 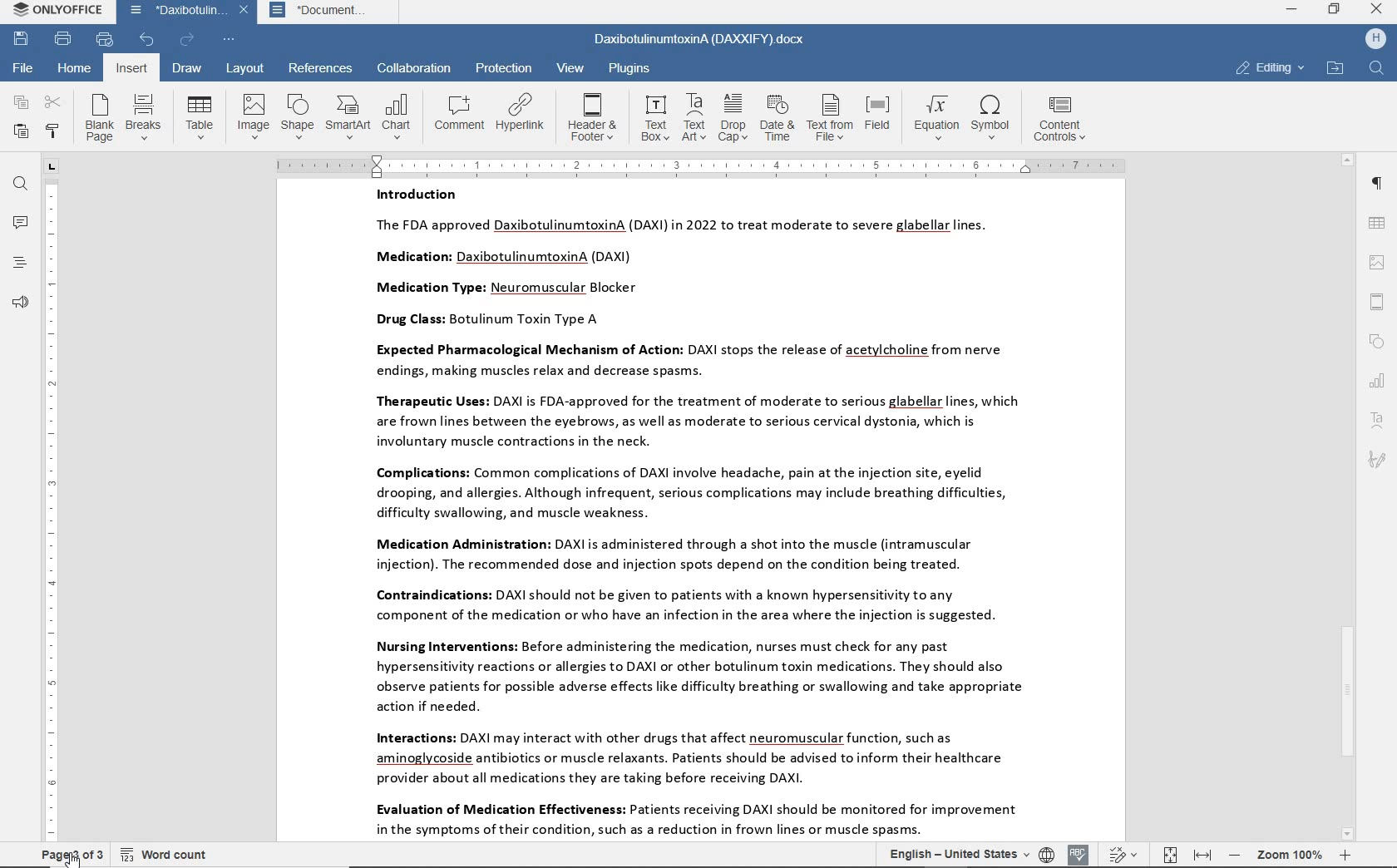 I want to click on open file location, so click(x=1335, y=69).